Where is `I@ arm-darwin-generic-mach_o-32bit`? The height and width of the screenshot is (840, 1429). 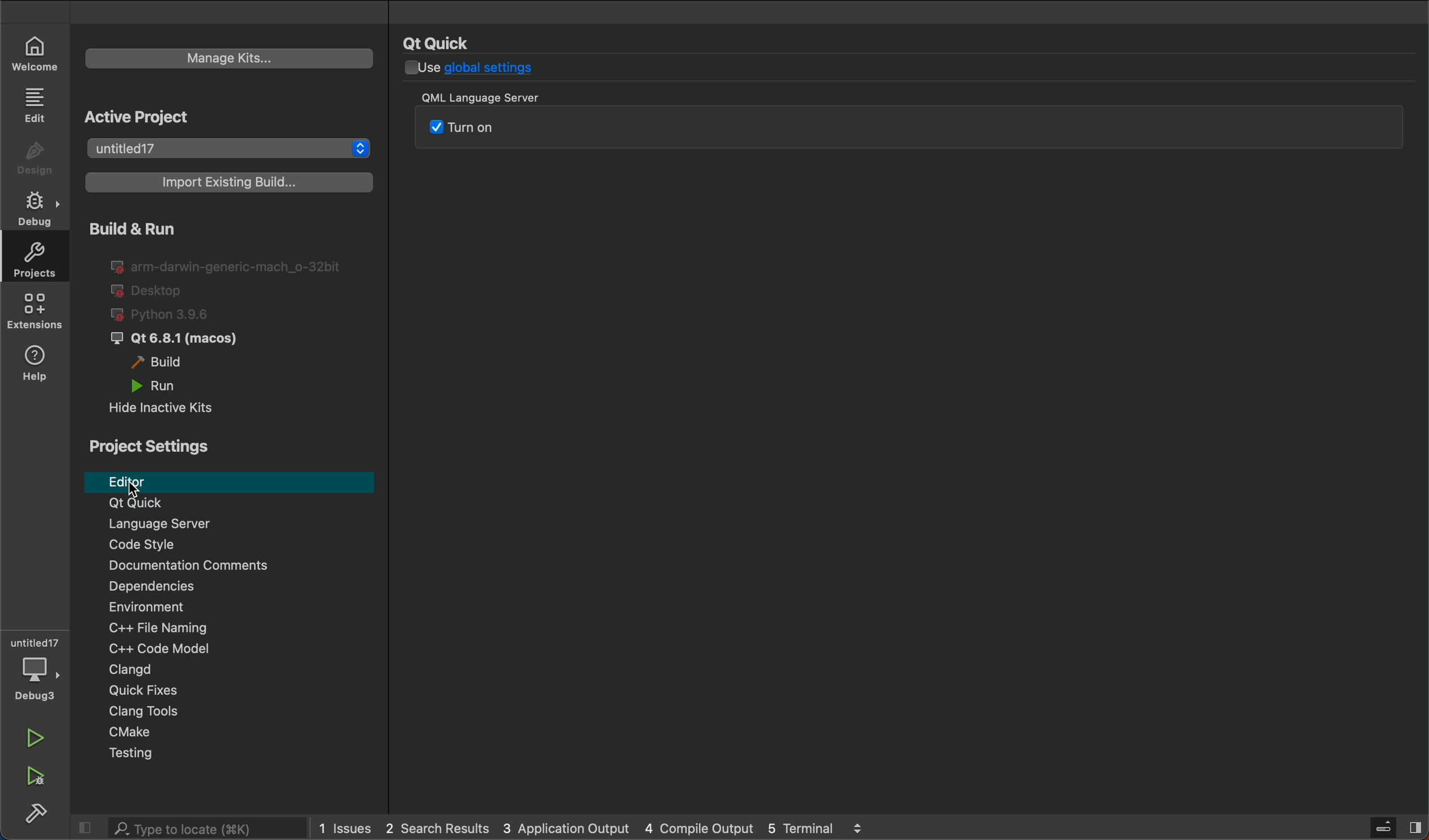
I@ arm-darwin-generic-mach_o-32bit is located at coordinates (229, 266).